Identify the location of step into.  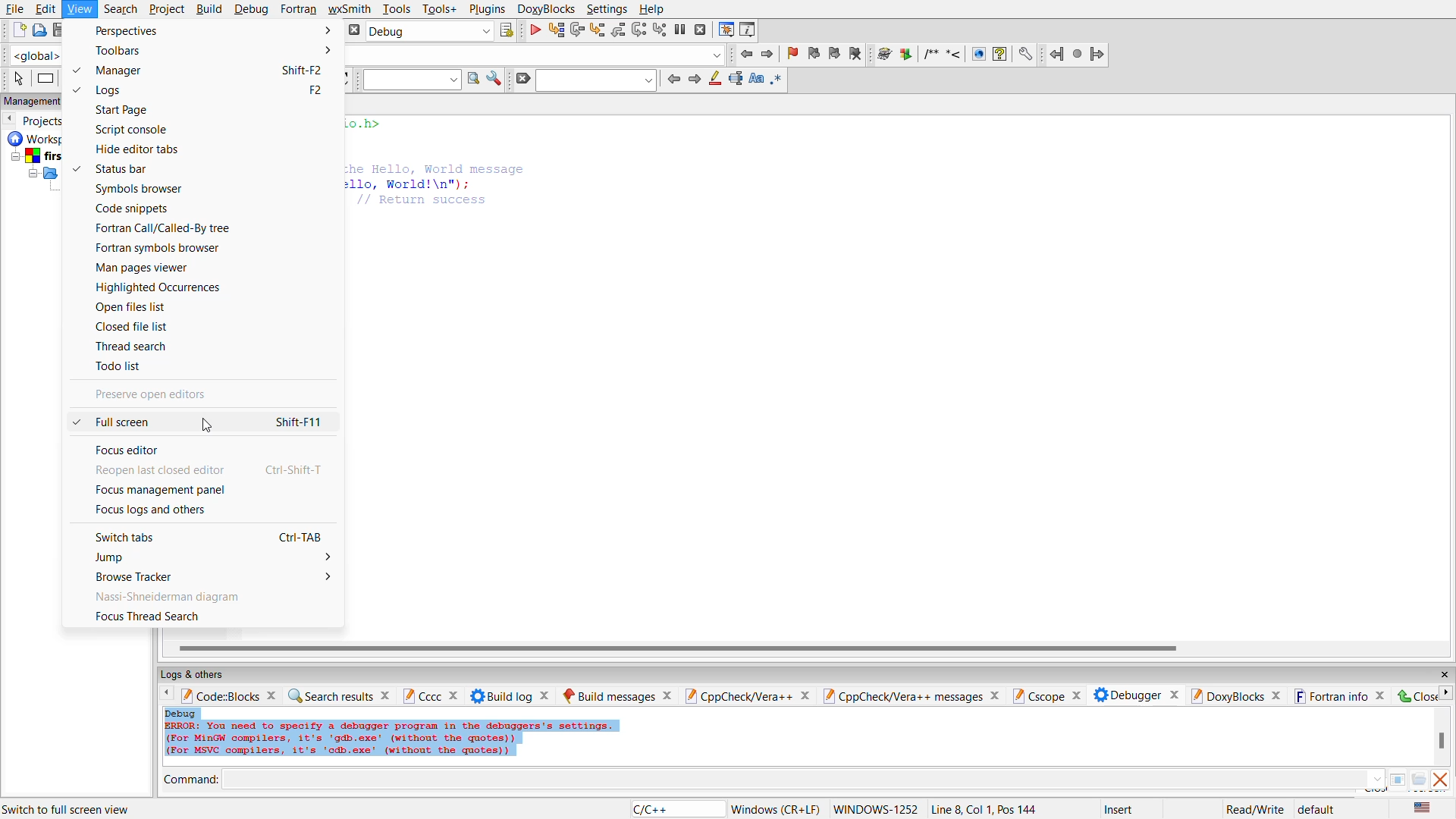
(598, 30).